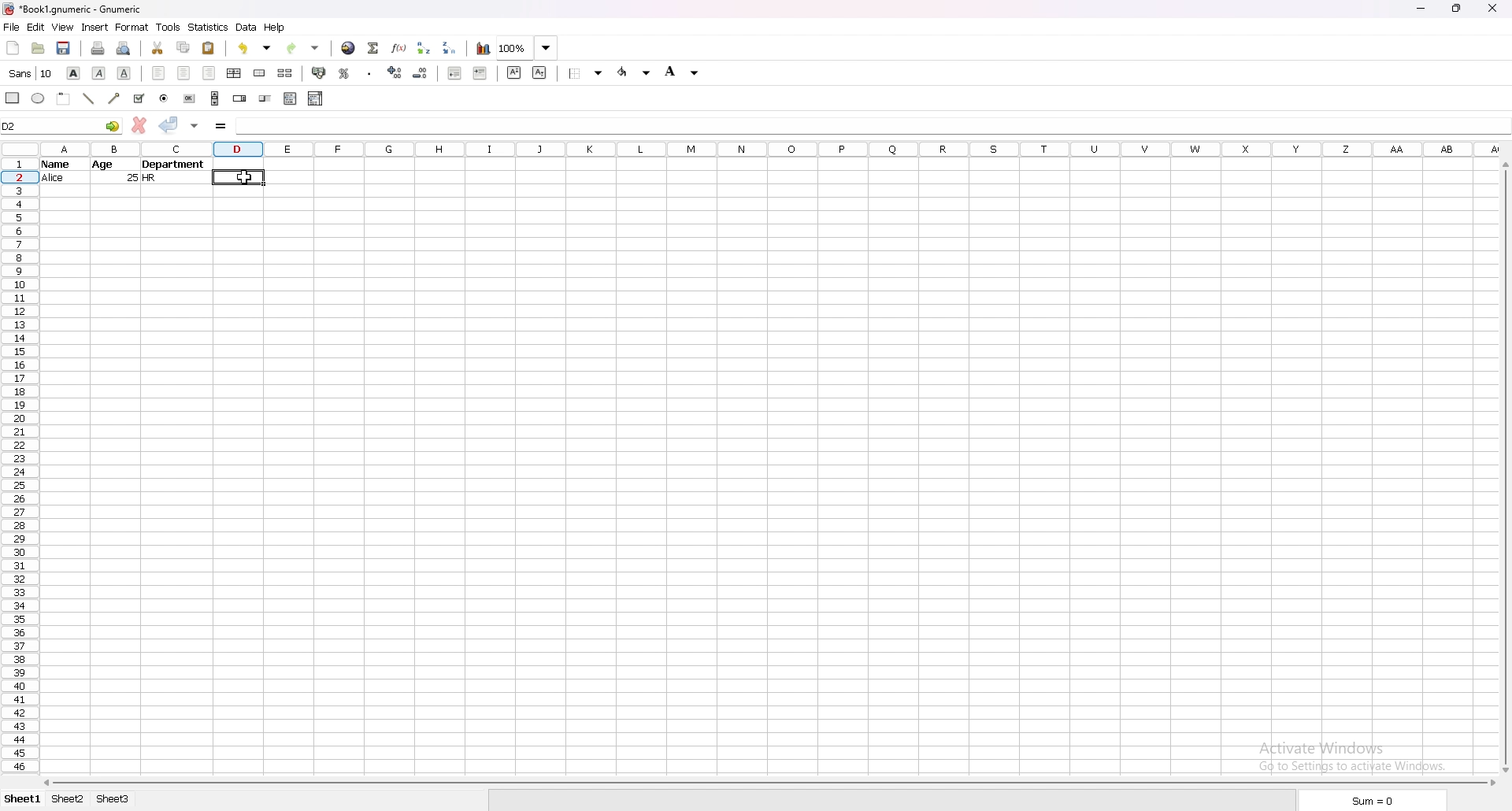 Image resolution: width=1512 pixels, height=811 pixels. I want to click on subscript, so click(540, 72).